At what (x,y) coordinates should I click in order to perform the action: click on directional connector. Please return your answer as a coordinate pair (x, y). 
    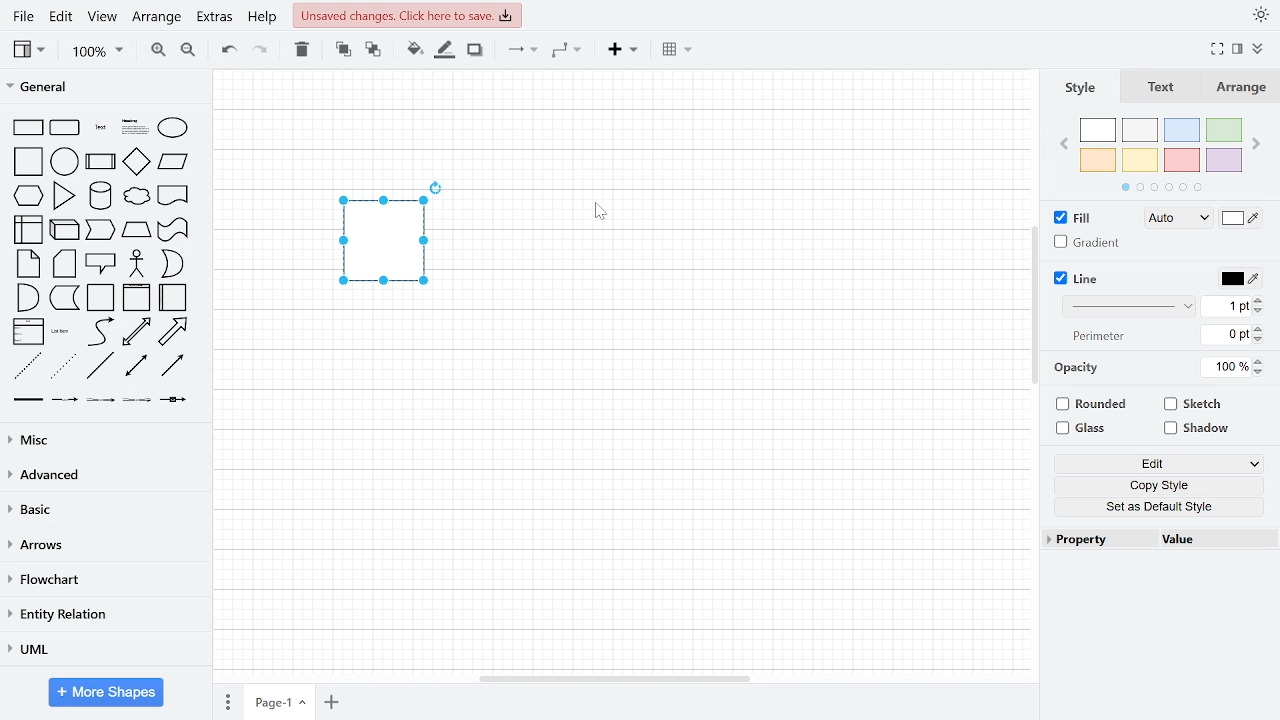
    Looking at the image, I should click on (173, 366).